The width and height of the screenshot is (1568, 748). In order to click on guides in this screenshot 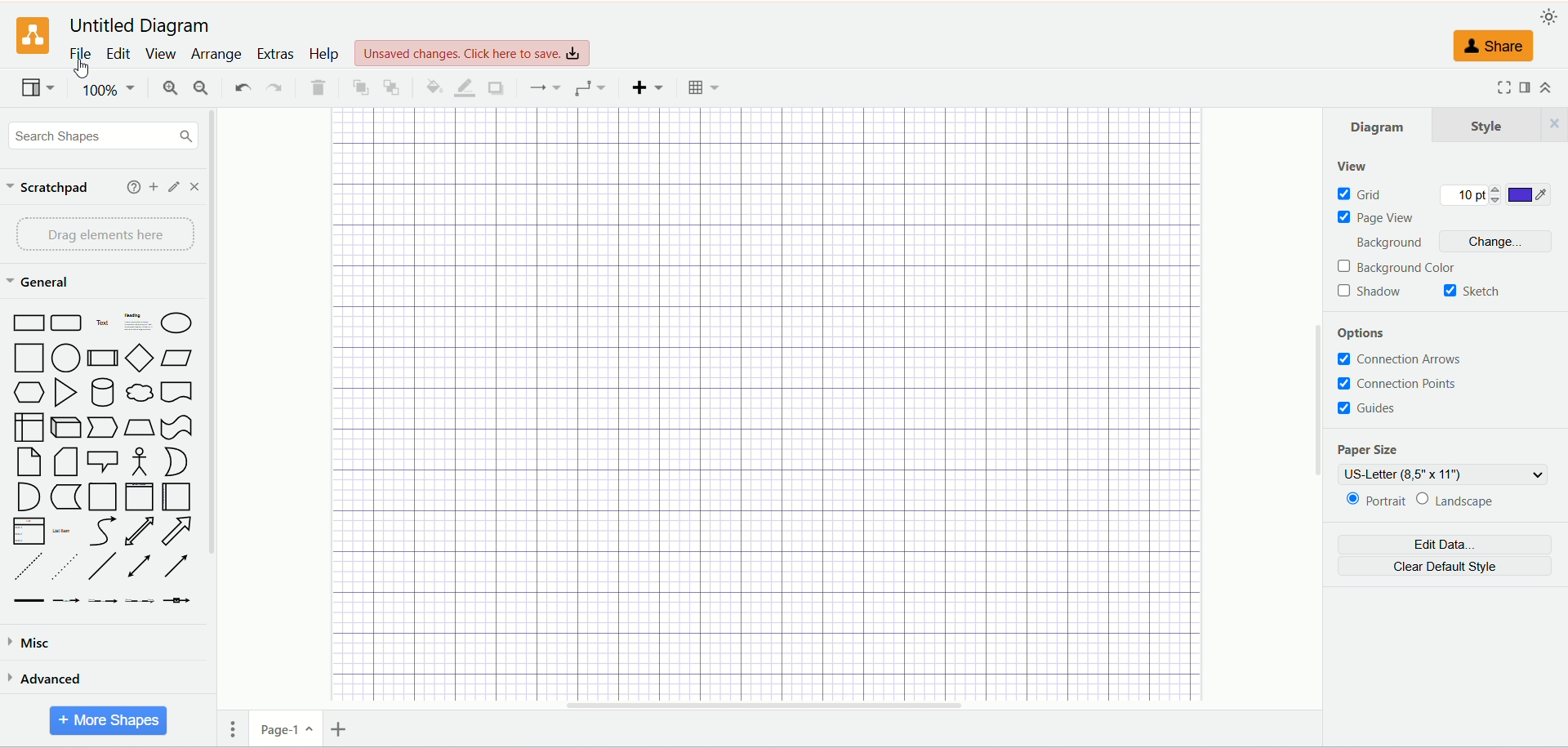, I will do `click(1369, 407)`.